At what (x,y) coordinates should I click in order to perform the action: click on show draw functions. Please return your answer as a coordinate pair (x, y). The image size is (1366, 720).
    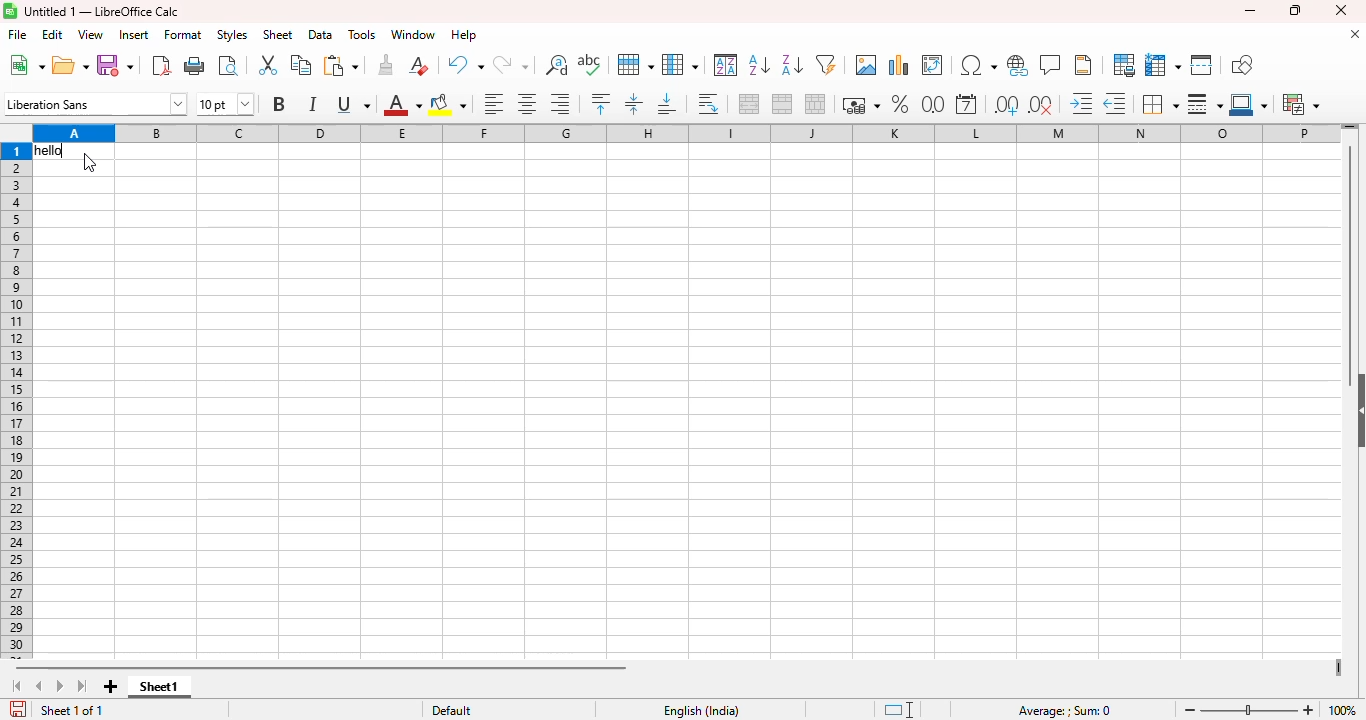
    Looking at the image, I should click on (1241, 64).